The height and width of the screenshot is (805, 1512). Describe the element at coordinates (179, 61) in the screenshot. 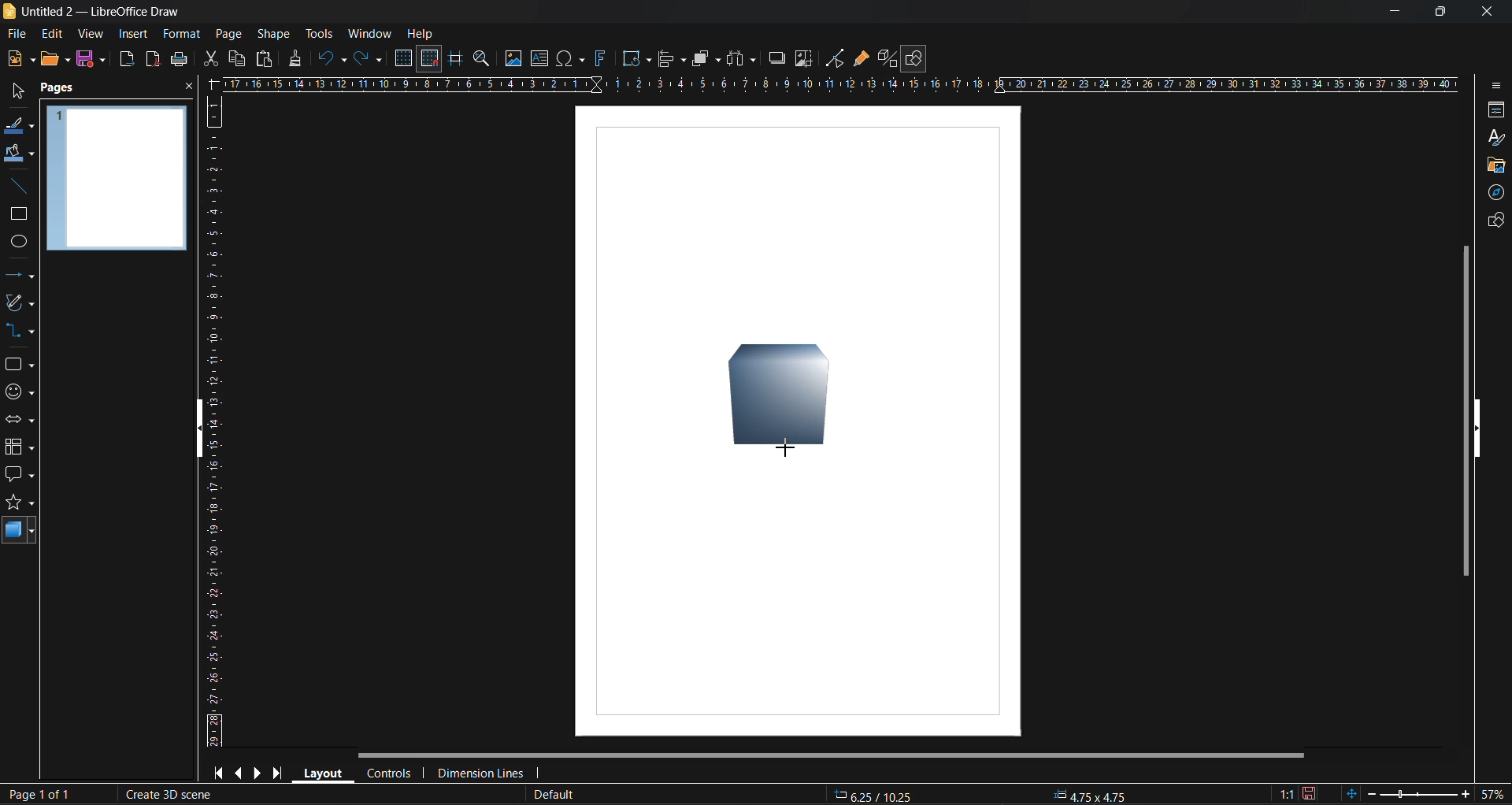

I see `print` at that location.